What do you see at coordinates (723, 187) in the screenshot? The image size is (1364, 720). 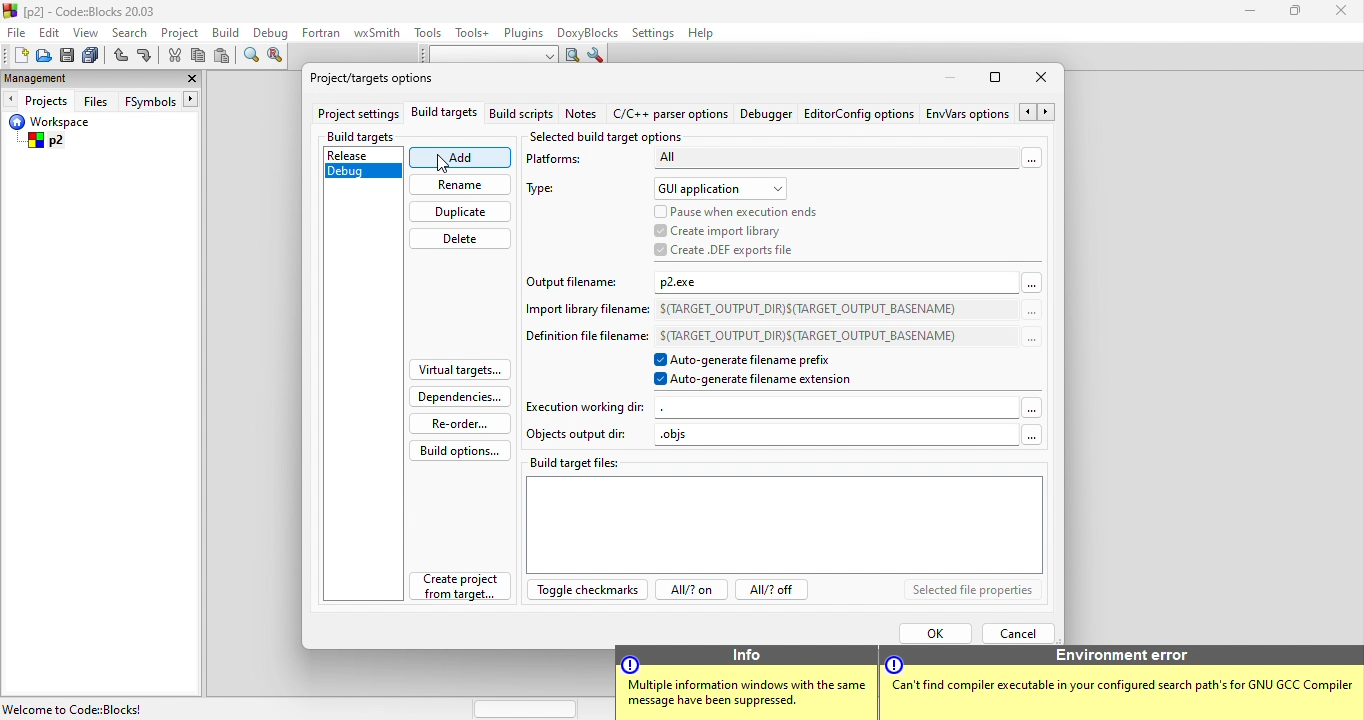 I see `gui application` at bounding box center [723, 187].